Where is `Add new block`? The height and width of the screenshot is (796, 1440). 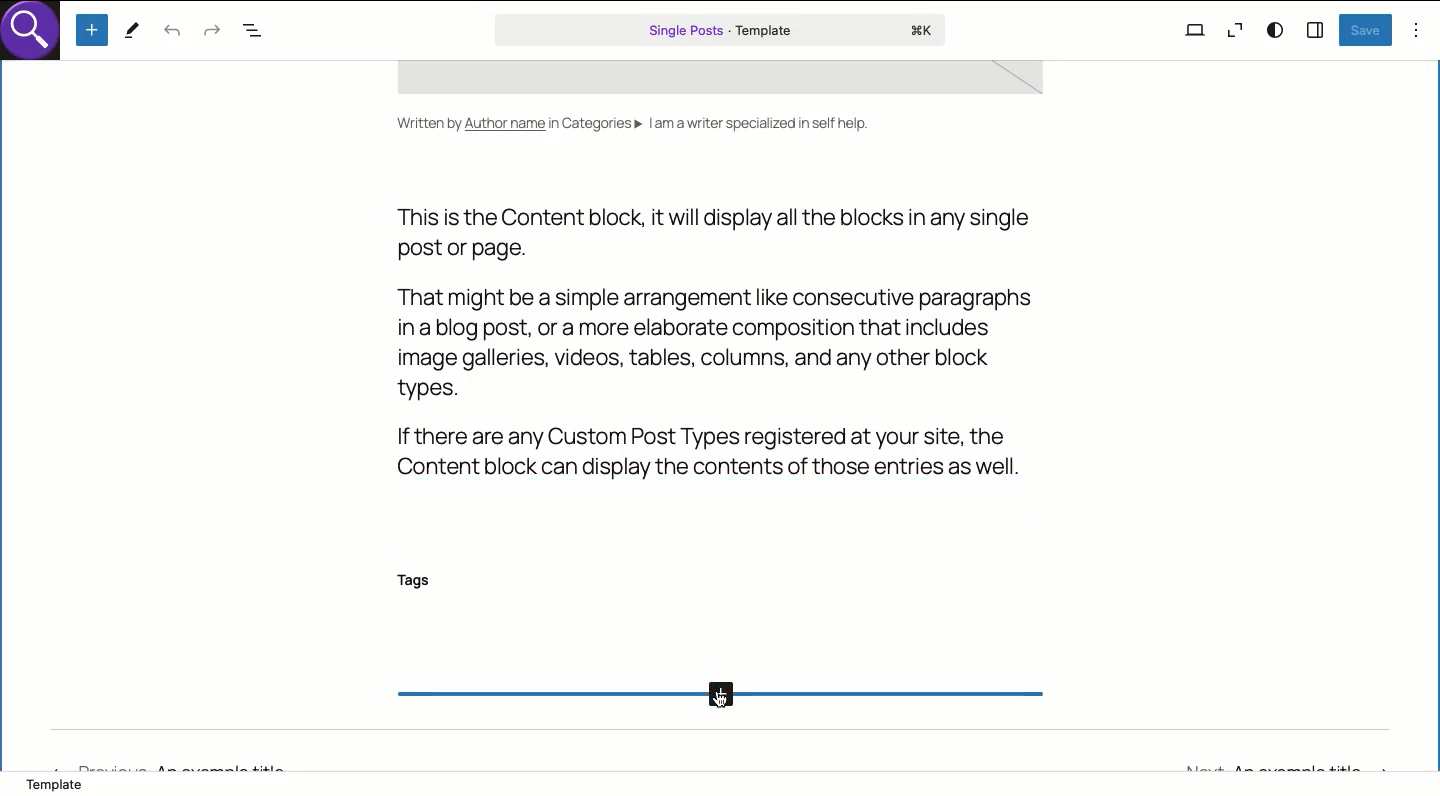 Add new block is located at coordinates (718, 697).